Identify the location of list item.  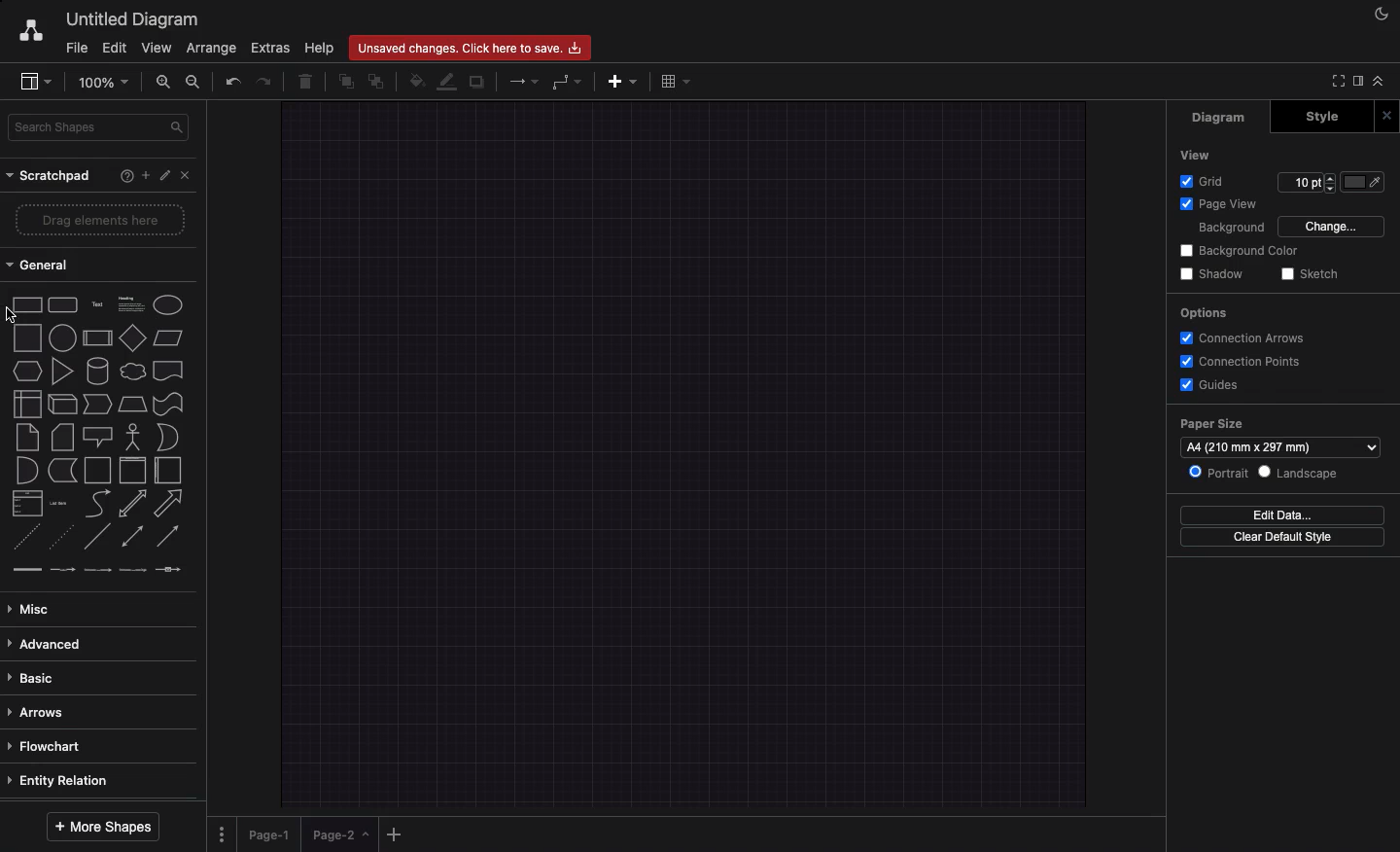
(60, 502).